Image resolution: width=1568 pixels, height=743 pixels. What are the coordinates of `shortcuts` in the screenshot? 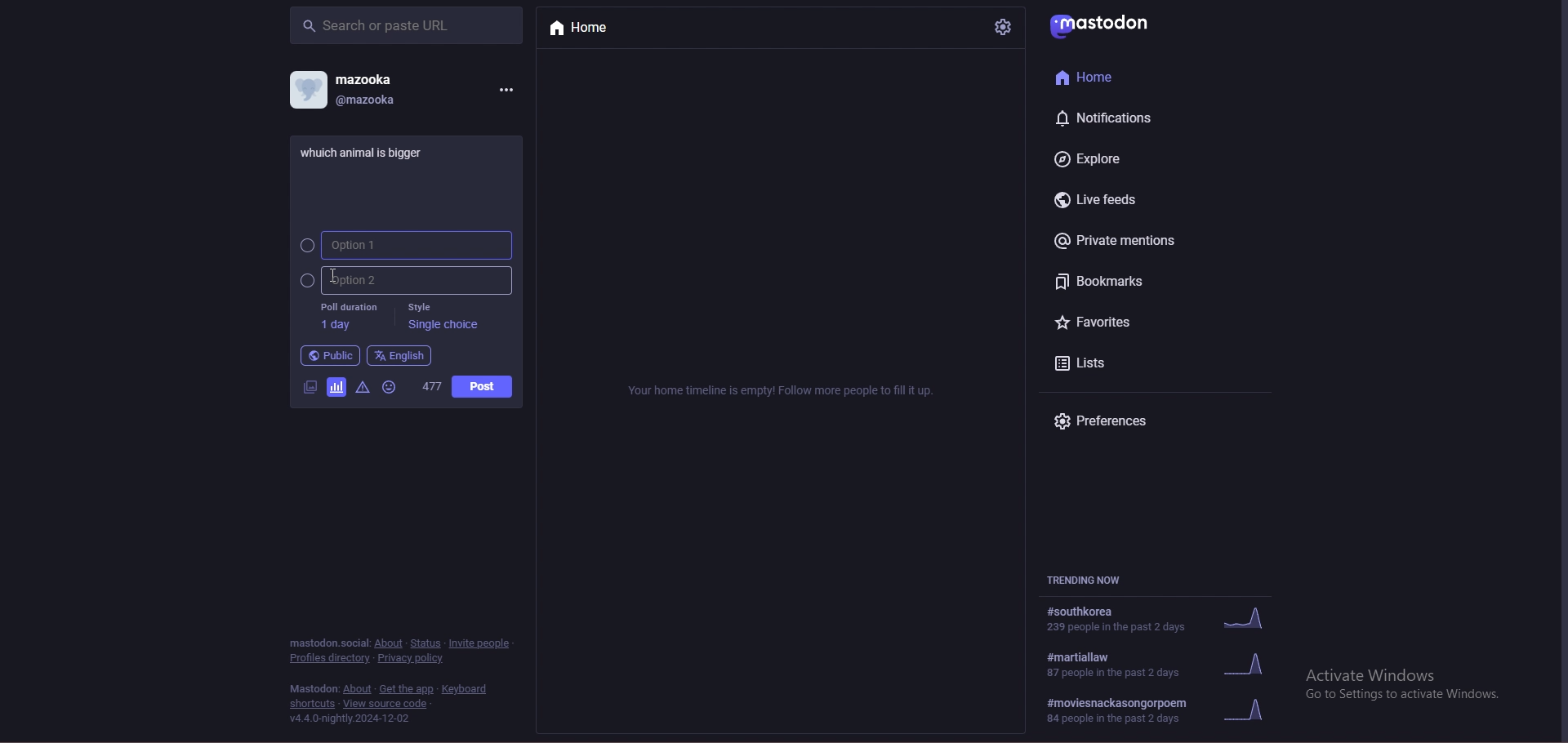 It's located at (313, 704).